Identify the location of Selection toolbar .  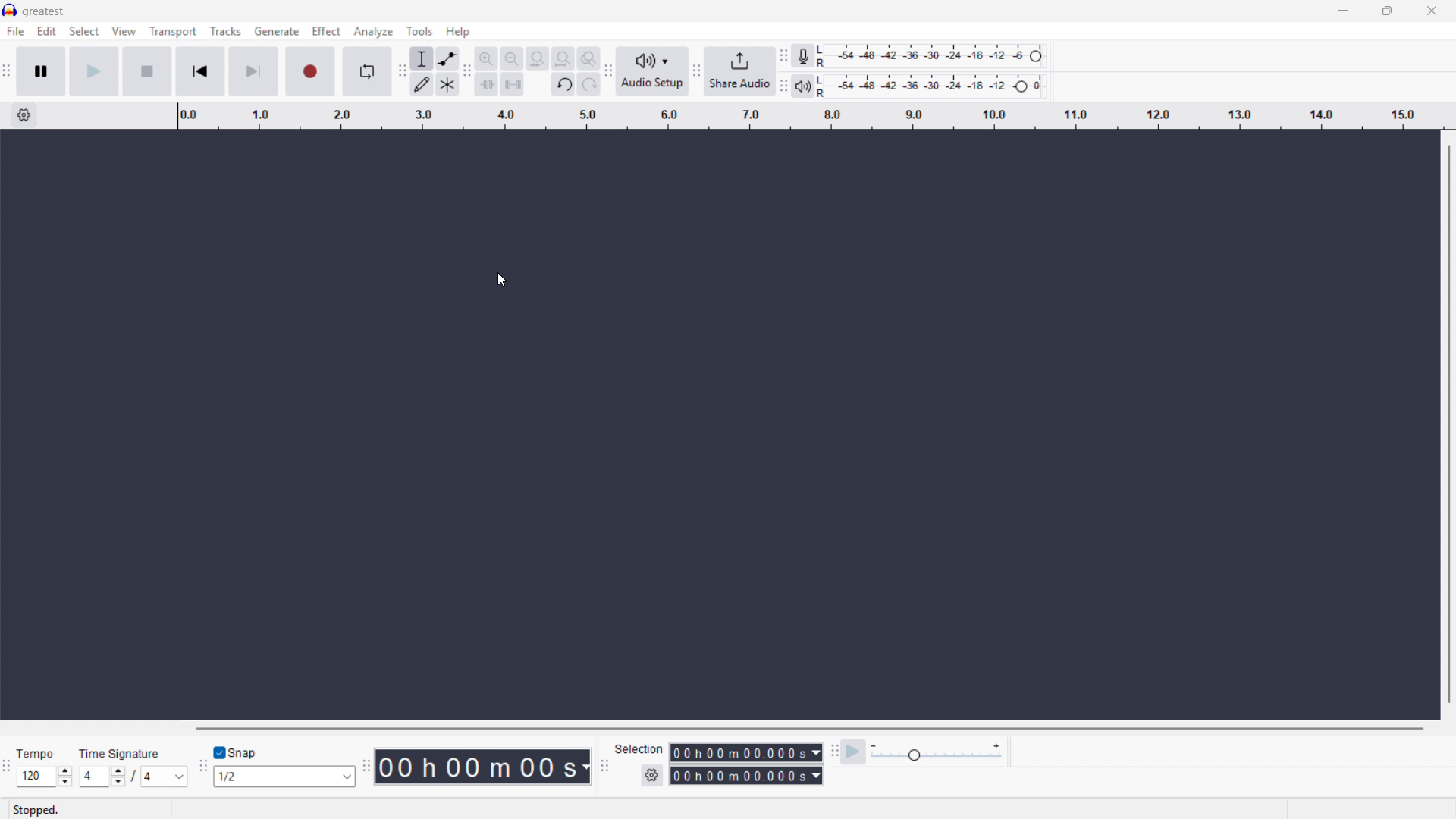
(606, 768).